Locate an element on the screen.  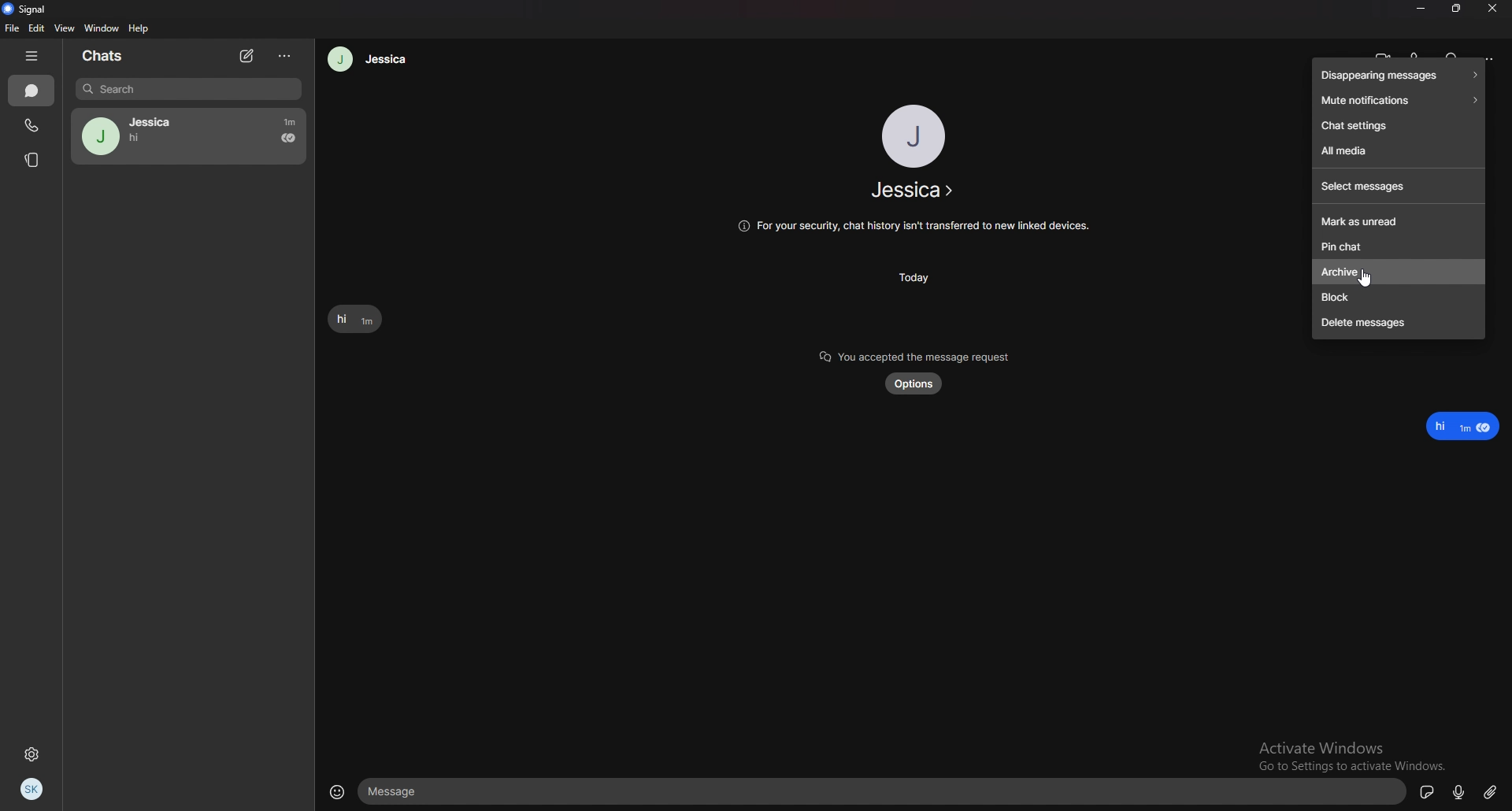
delete messages is located at coordinates (1399, 324).